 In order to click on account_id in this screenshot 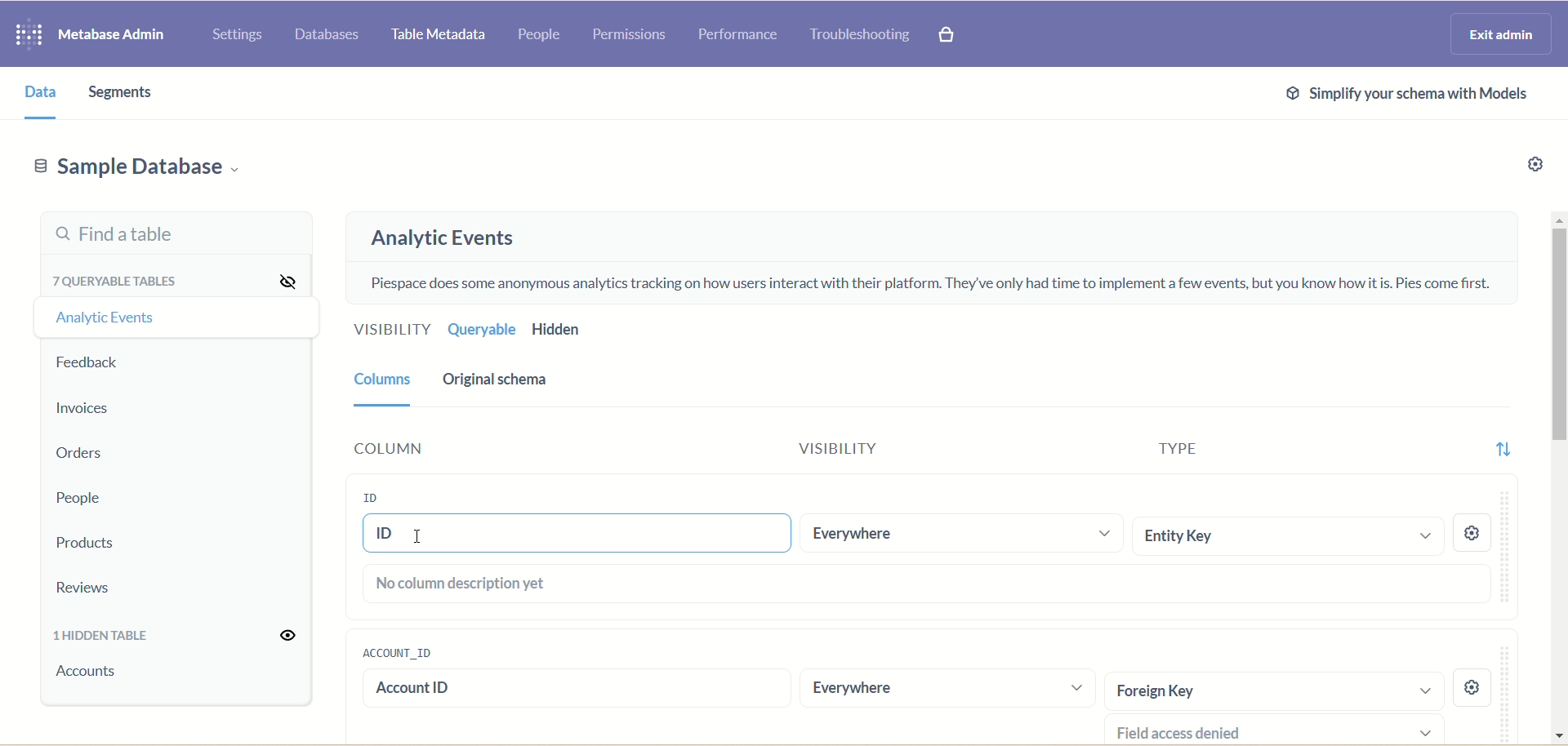, I will do `click(394, 651)`.